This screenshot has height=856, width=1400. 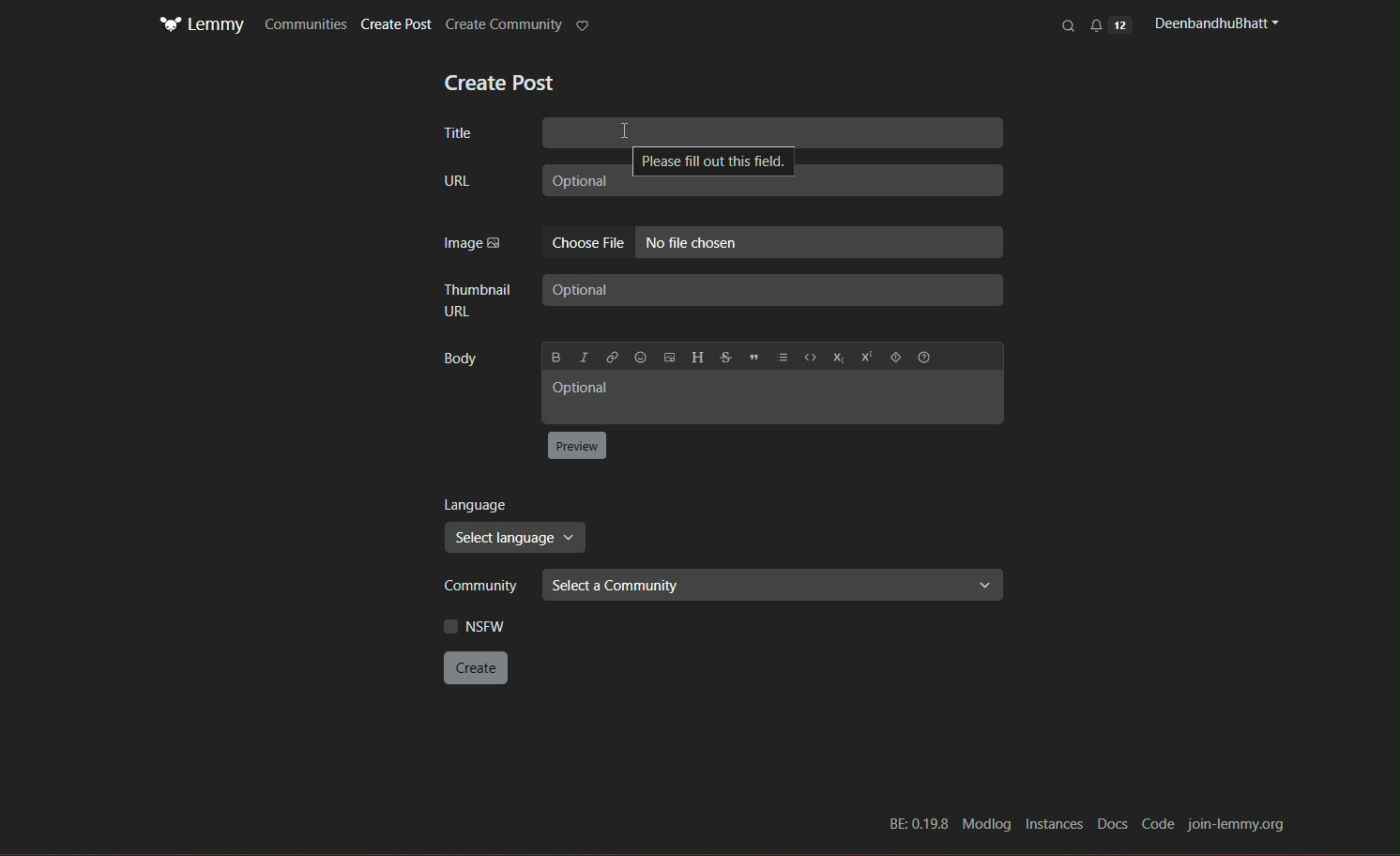 I want to click on Modlog, so click(x=985, y=824).